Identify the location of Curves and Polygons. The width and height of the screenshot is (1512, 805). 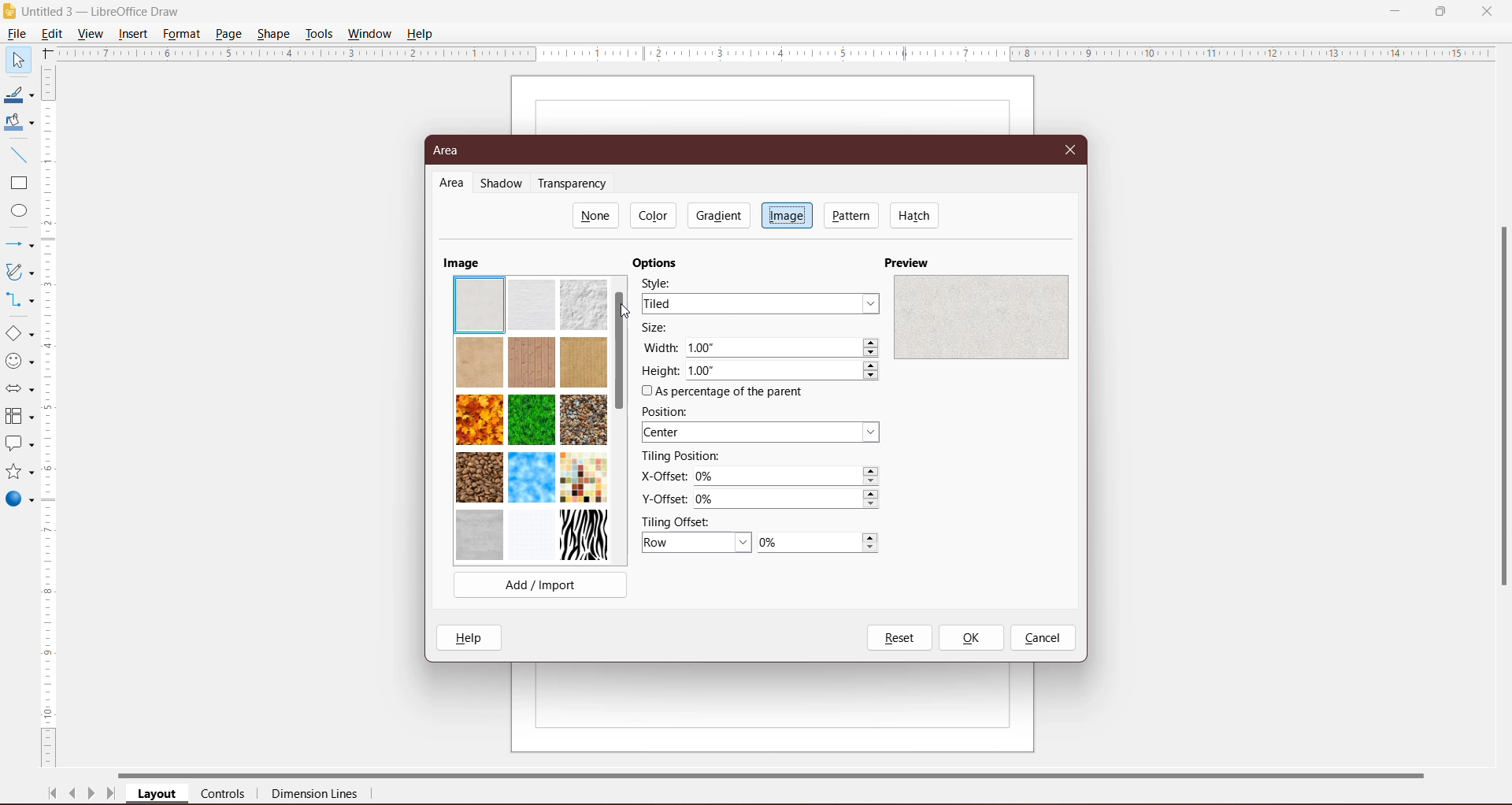
(18, 271).